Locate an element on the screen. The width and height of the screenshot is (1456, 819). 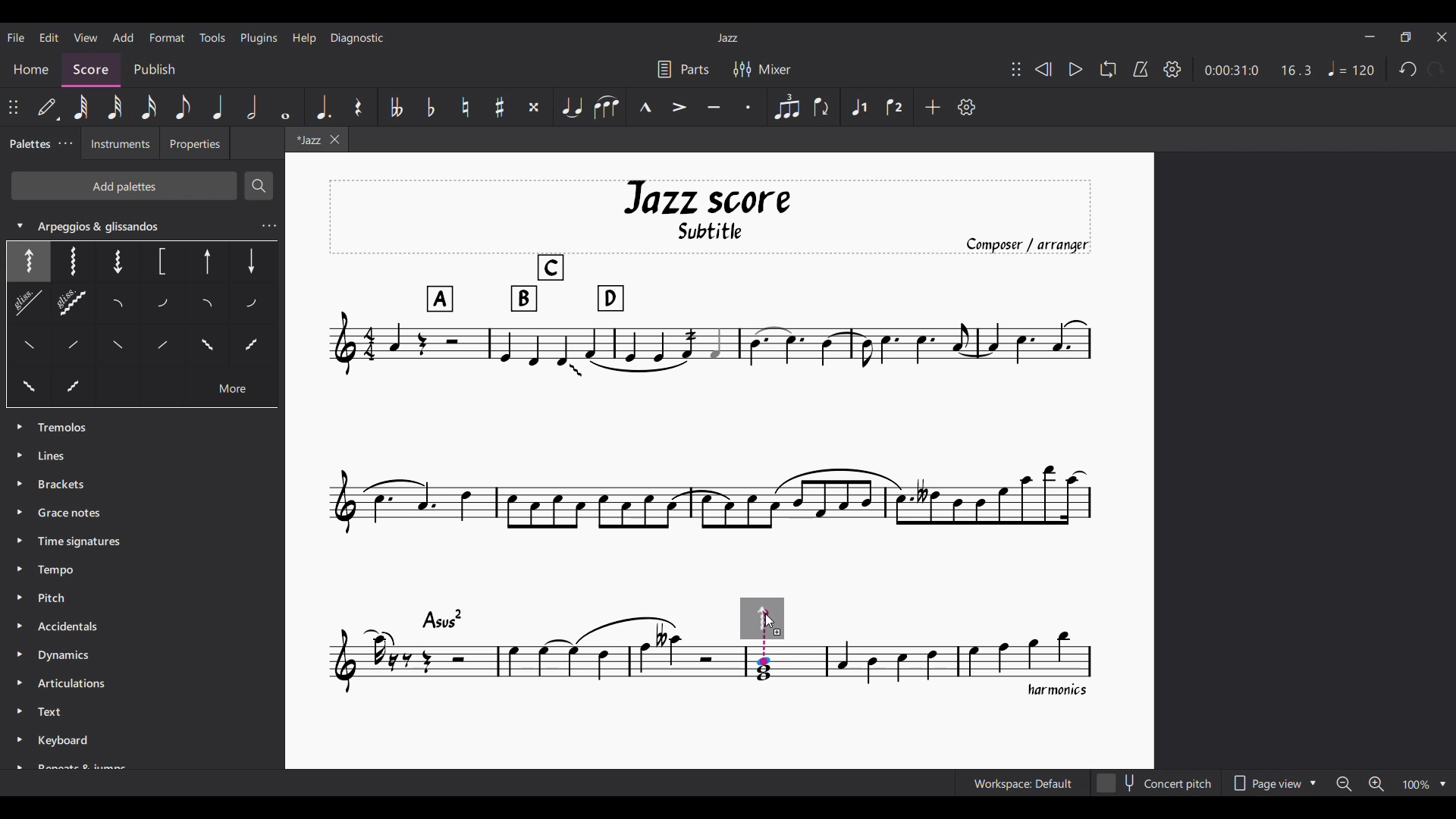
Toggle double flat is located at coordinates (395, 108).